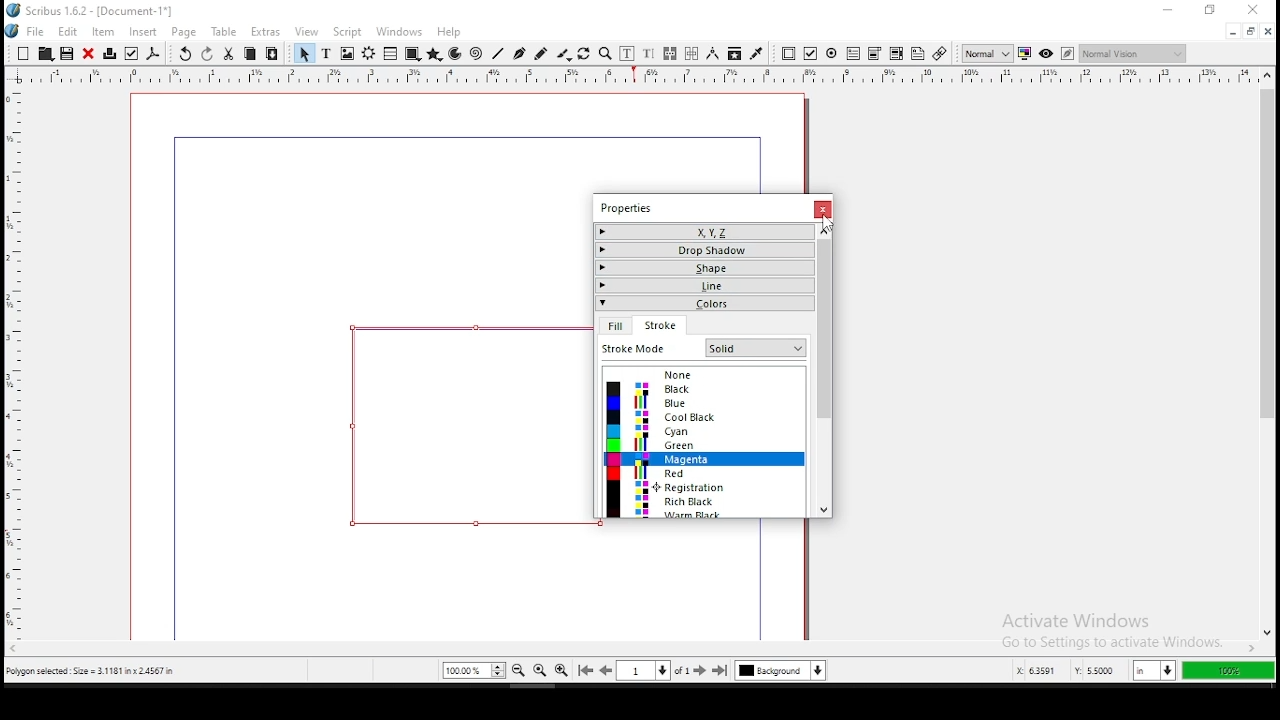 The image size is (1280, 720). What do you see at coordinates (810, 144) in the screenshot?
I see `scrollbar` at bounding box center [810, 144].